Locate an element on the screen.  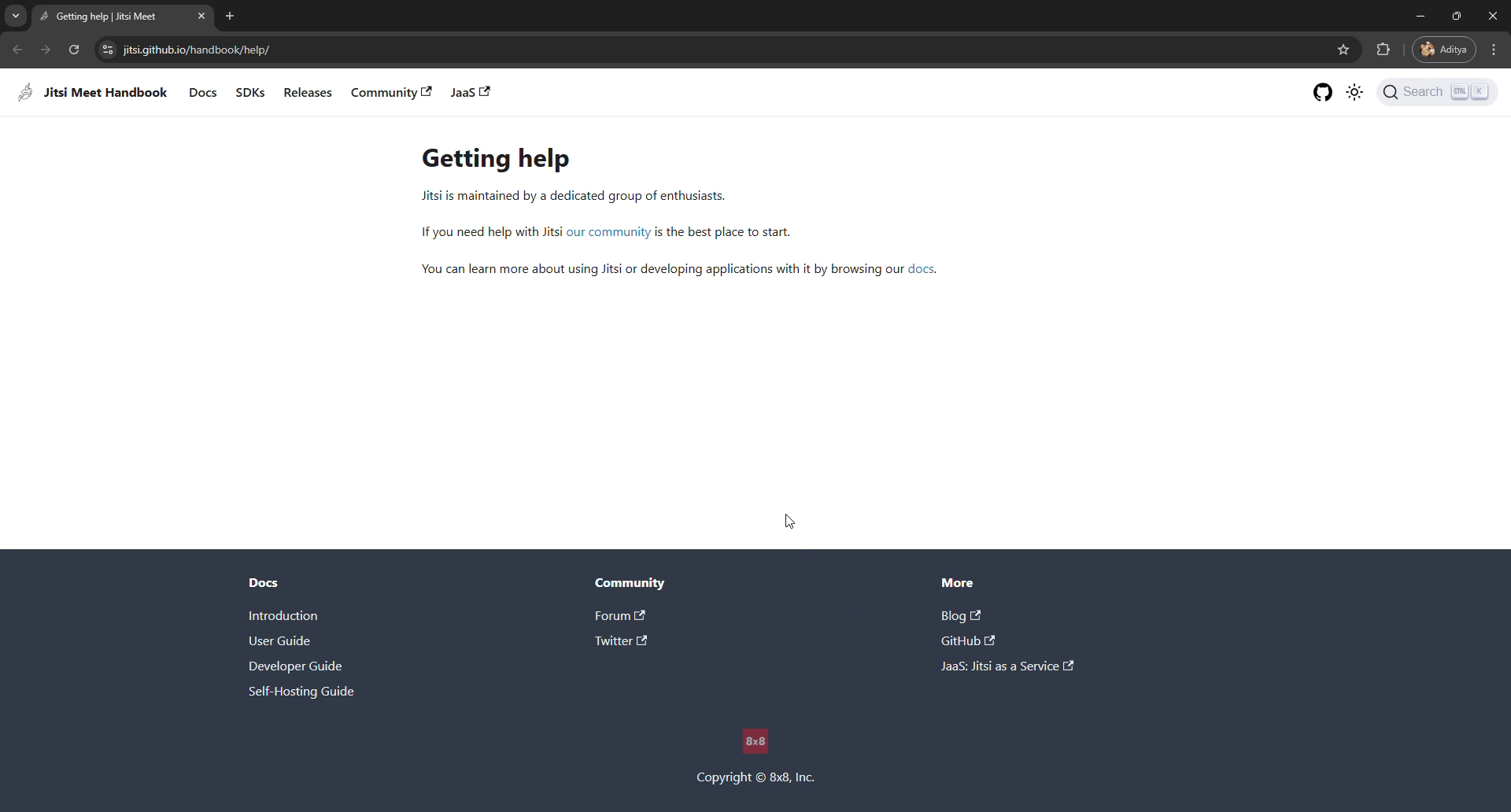
copyright is located at coordinates (755, 755).